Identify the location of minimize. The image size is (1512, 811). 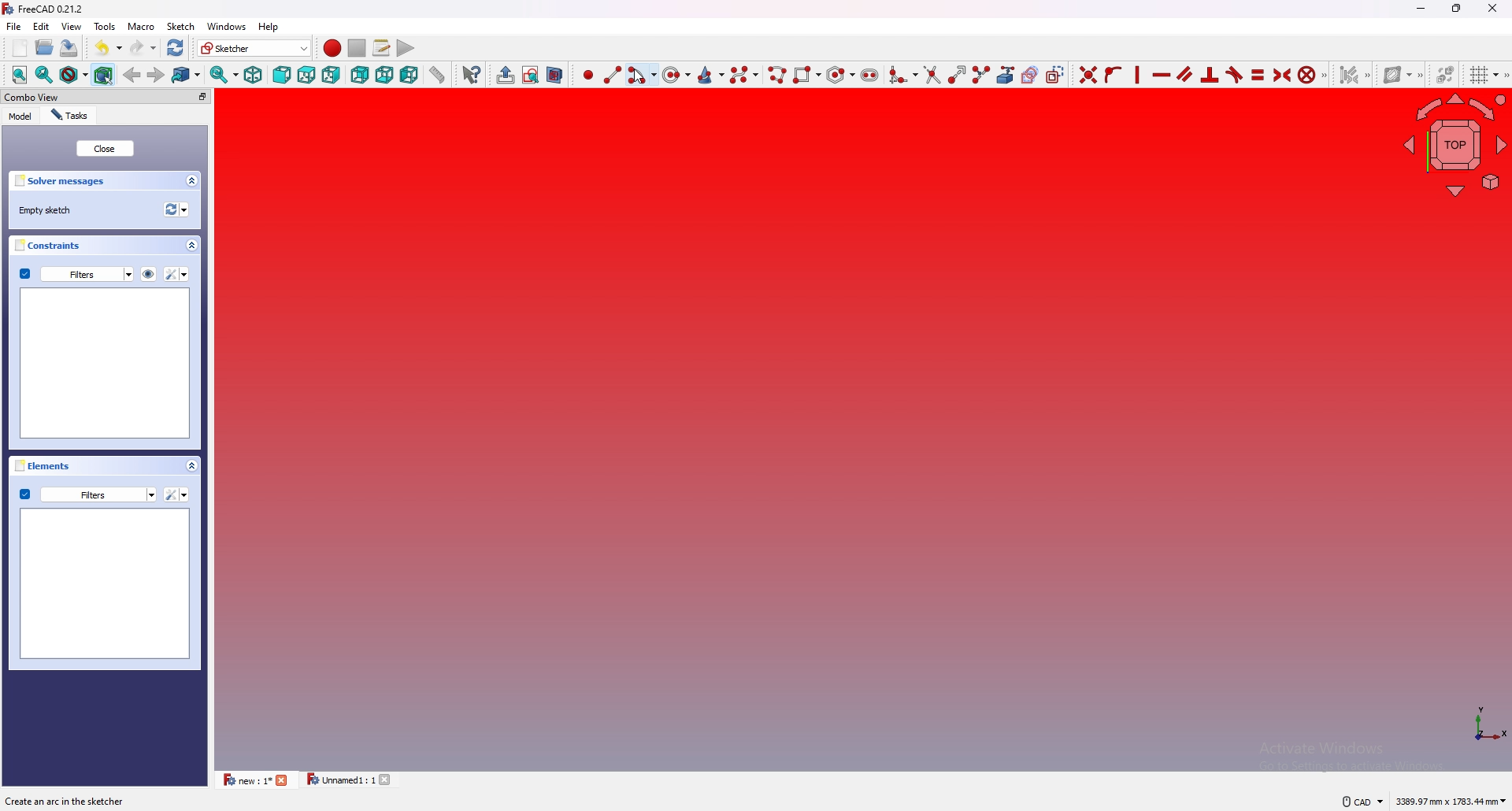
(1421, 9).